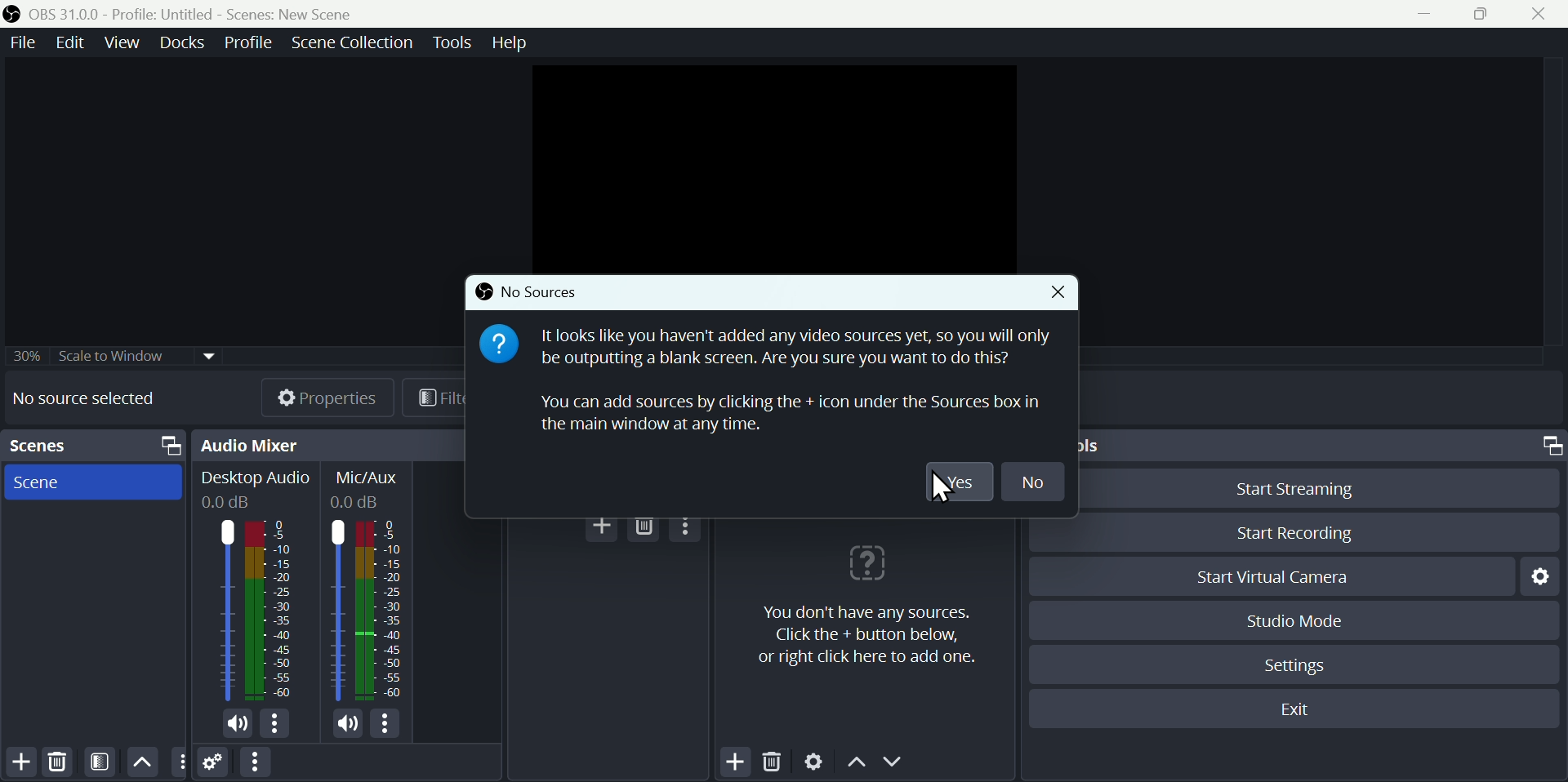 The height and width of the screenshot is (782, 1568). I want to click on Settings, so click(817, 762).